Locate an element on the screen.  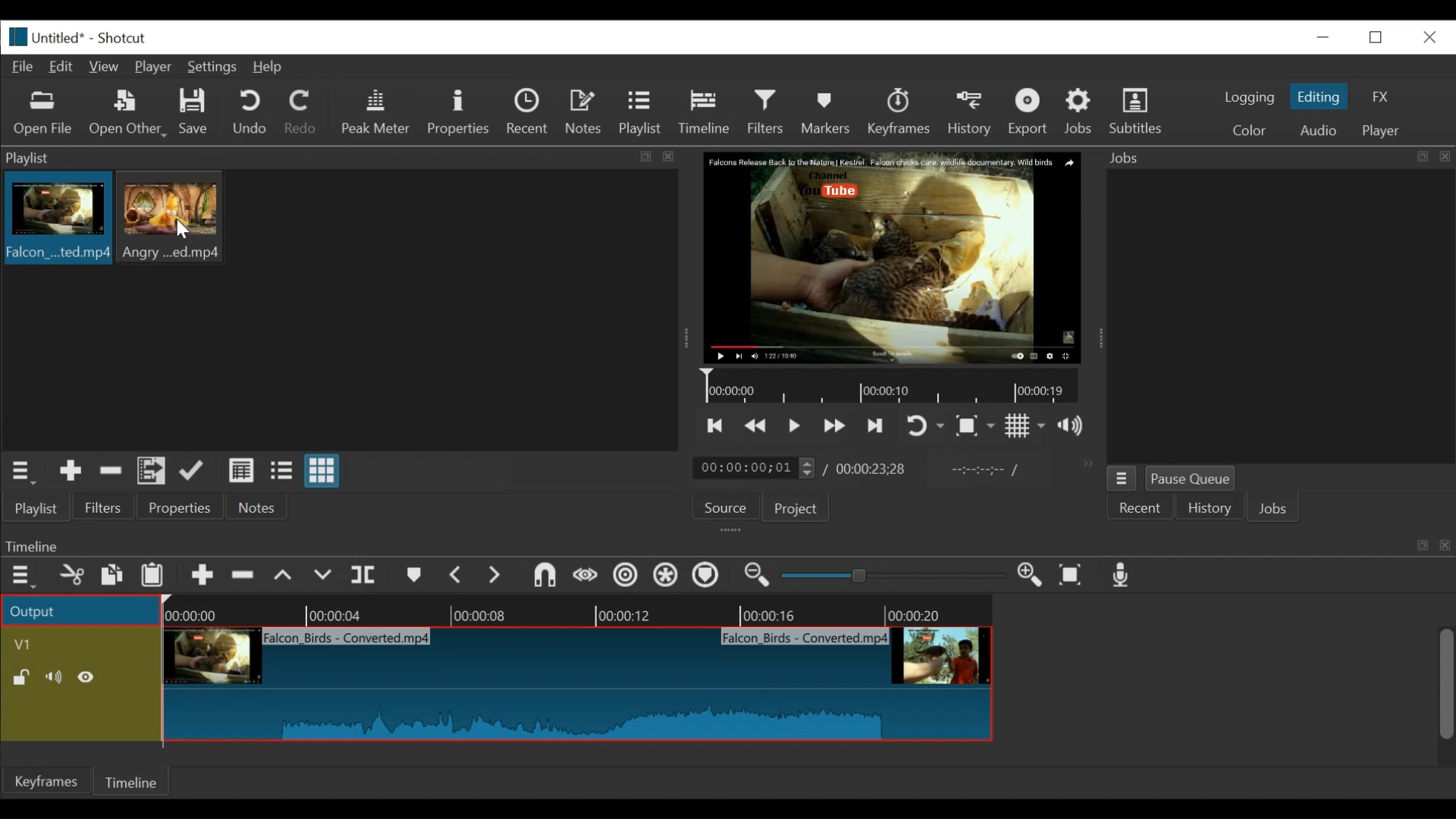
Export is located at coordinates (1031, 114).